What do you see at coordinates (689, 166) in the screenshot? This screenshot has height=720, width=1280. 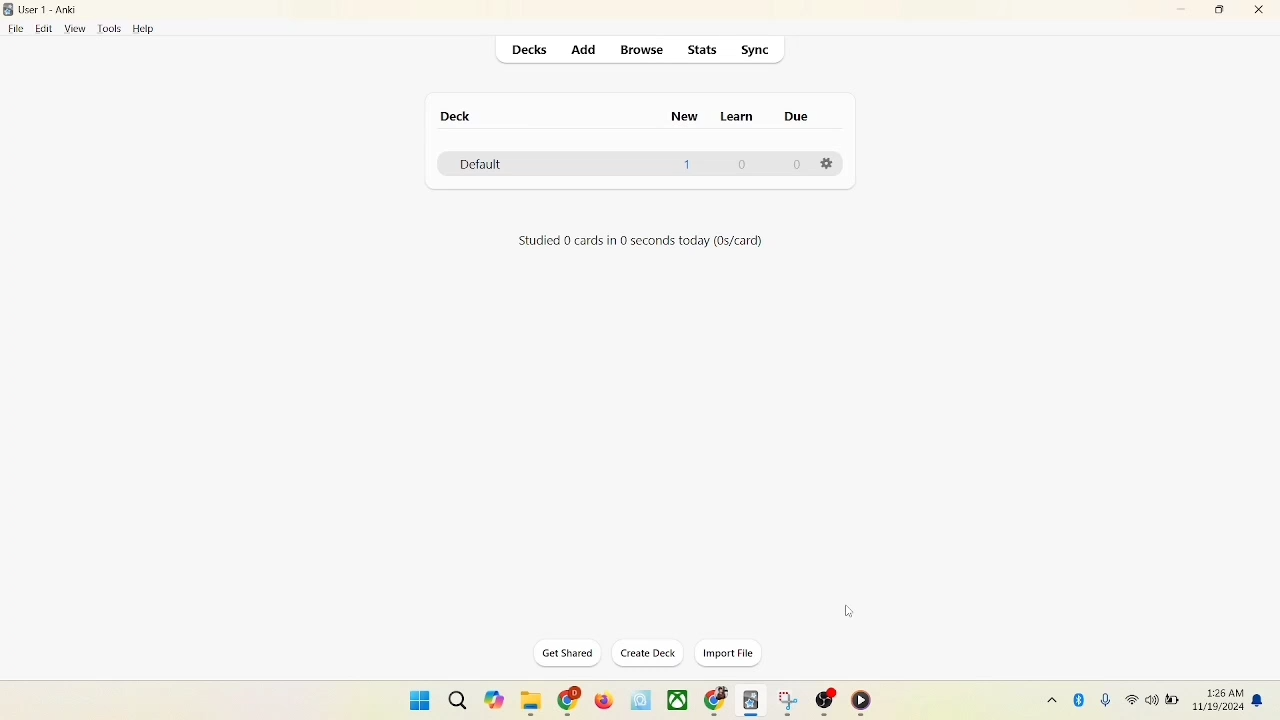 I see `` at bounding box center [689, 166].